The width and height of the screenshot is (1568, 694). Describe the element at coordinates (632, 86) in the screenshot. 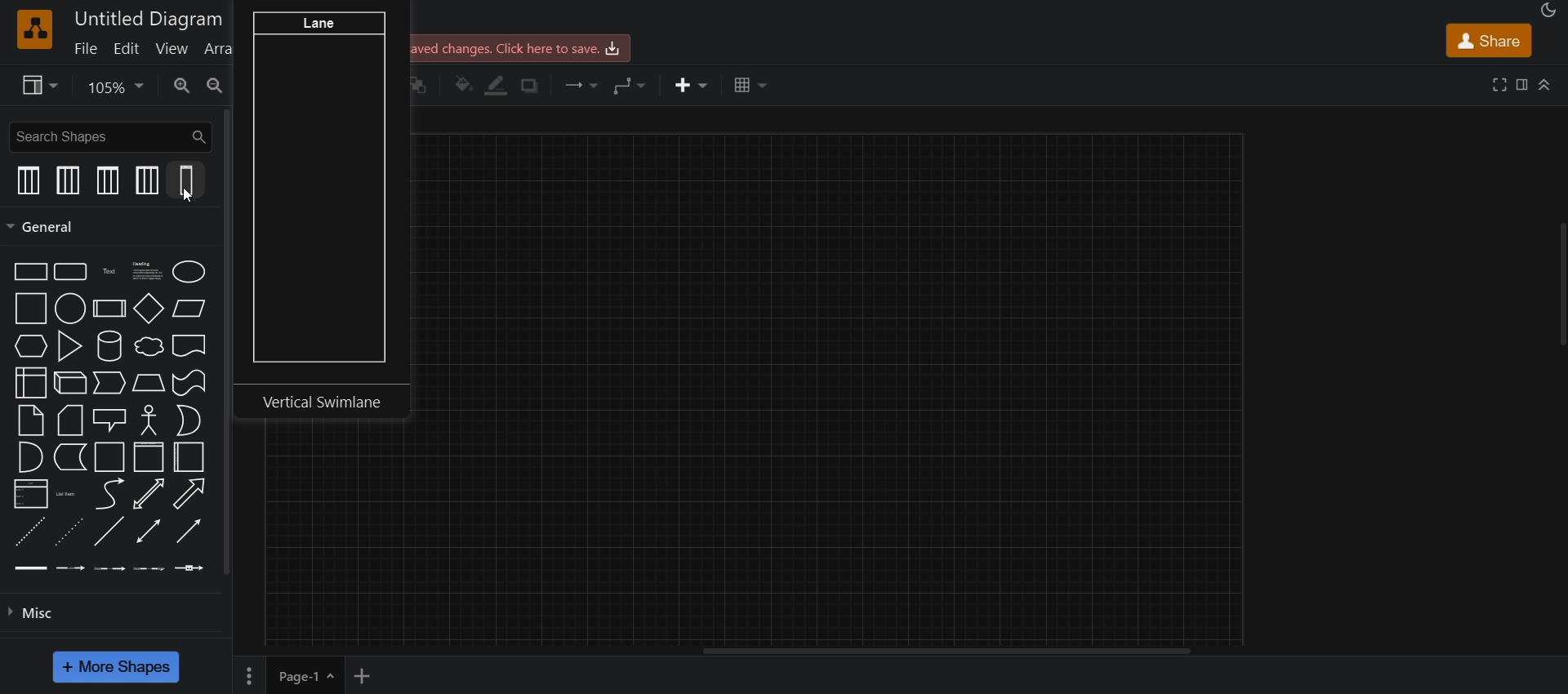

I see `waypoints` at that location.